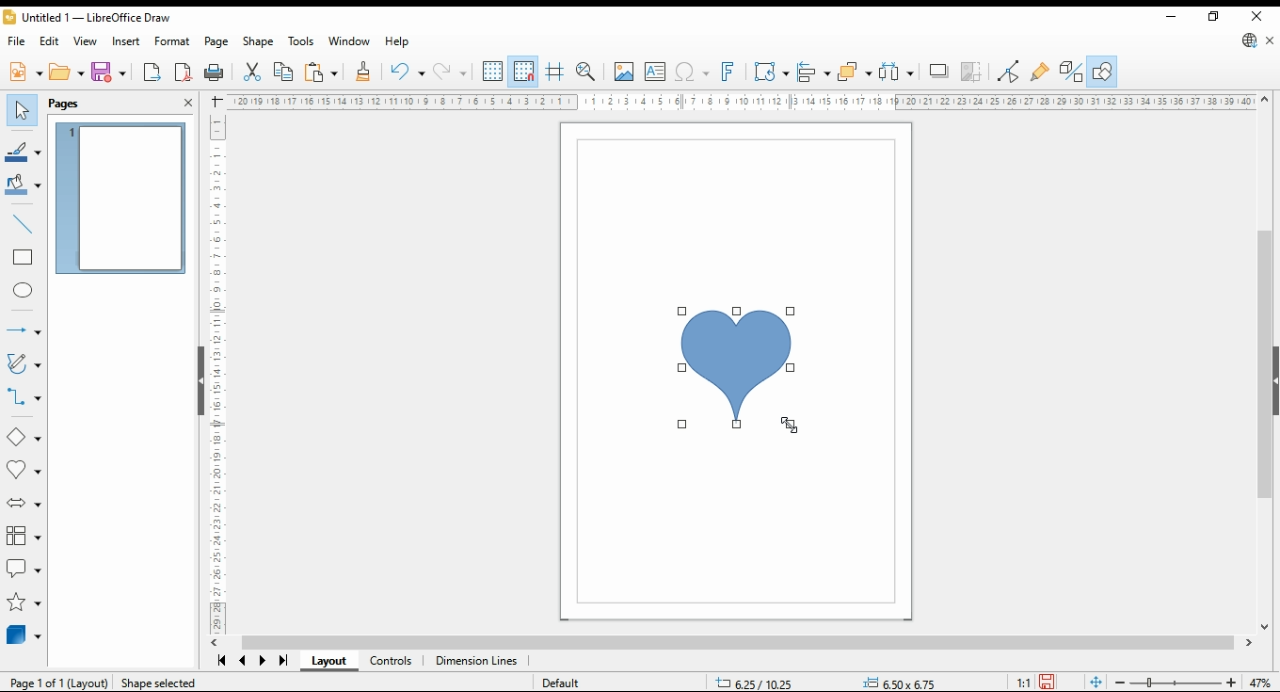  I want to click on toggle extrusions, so click(1070, 72).